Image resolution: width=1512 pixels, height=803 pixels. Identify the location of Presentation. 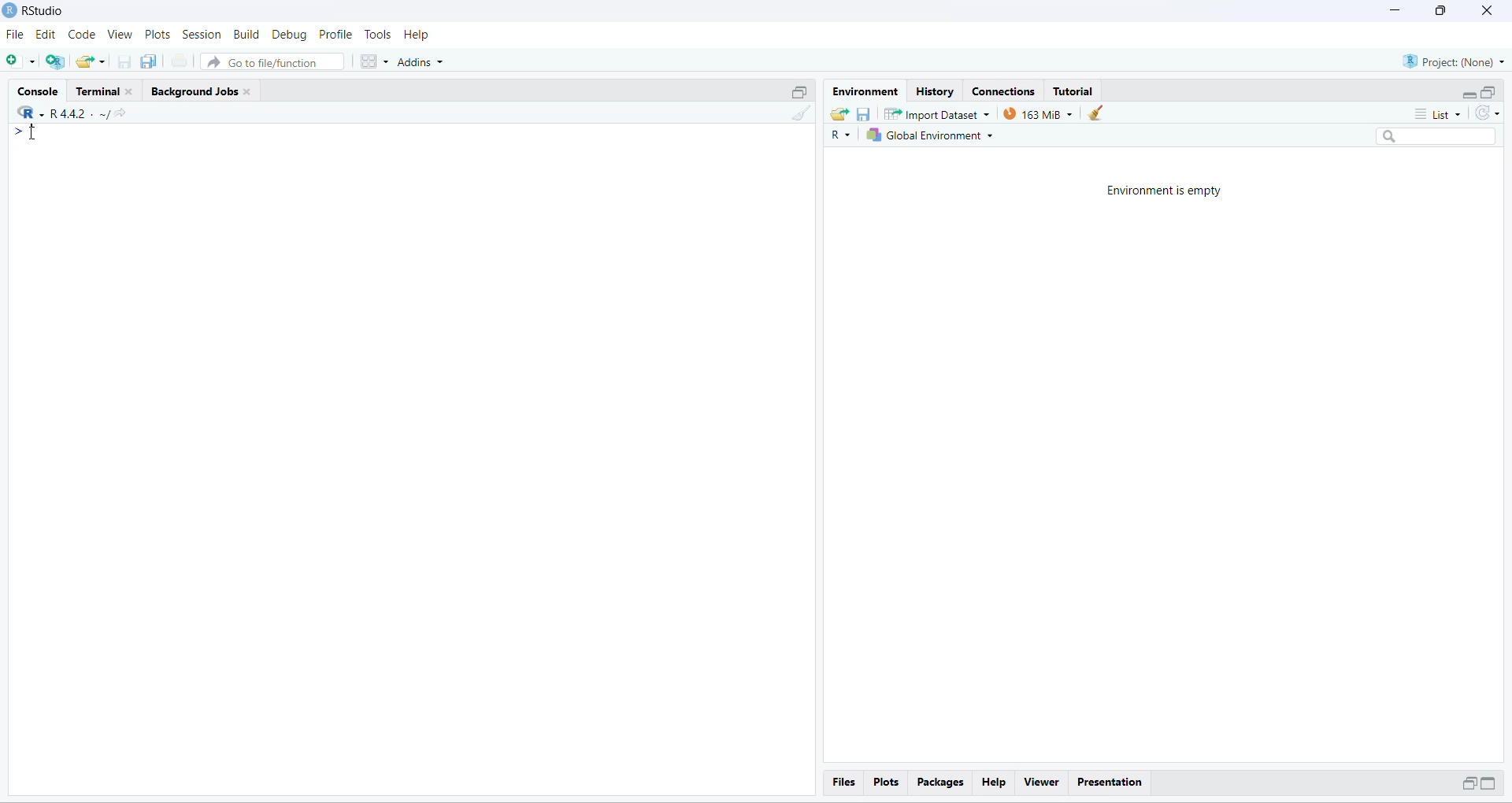
(1111, 783).